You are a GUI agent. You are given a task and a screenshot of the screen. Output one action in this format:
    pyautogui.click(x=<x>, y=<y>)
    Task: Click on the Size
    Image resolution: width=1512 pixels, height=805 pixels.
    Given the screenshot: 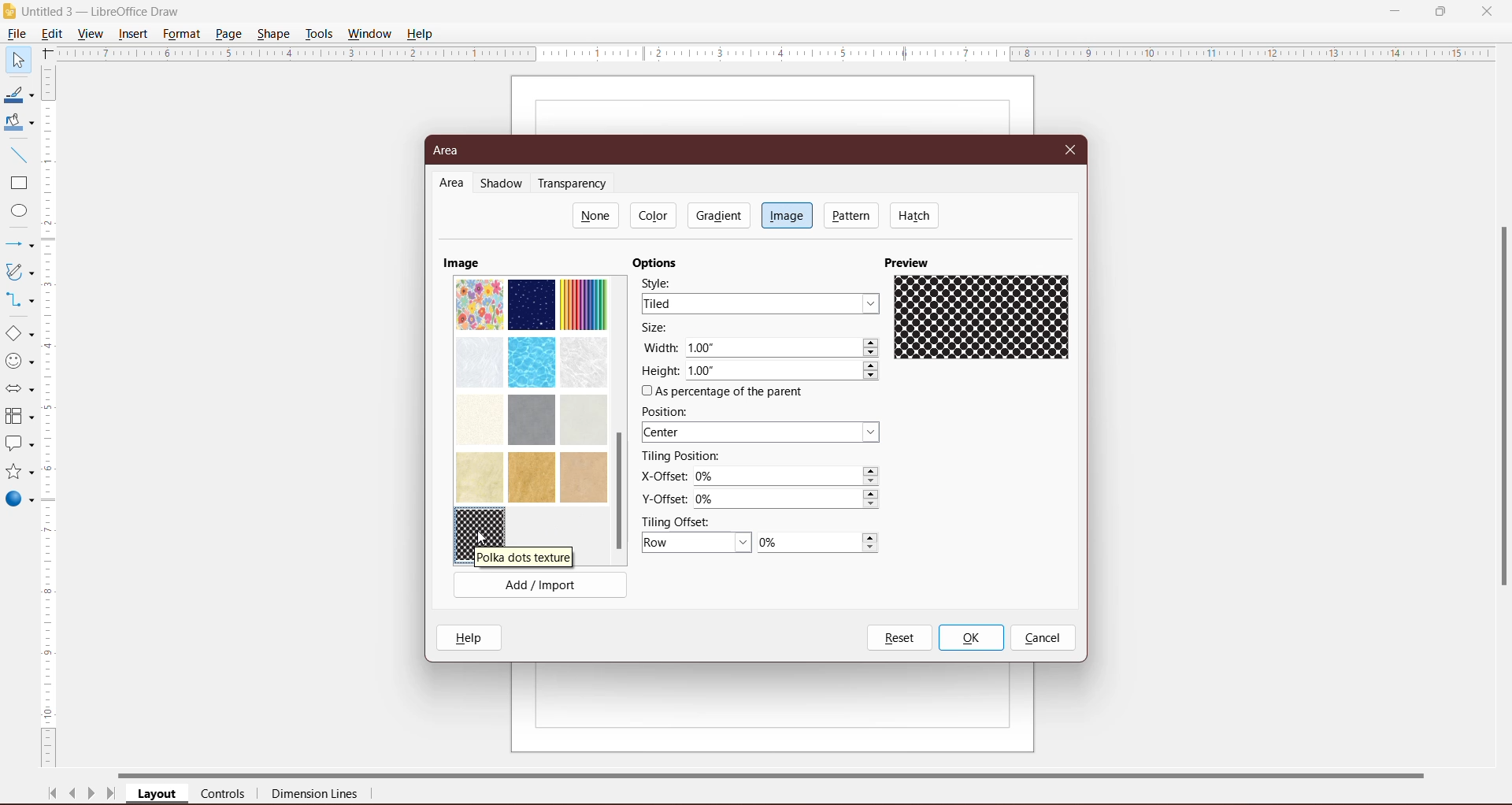 What is the action you would take?
    pyautogui.click(x=660, y=328)
    